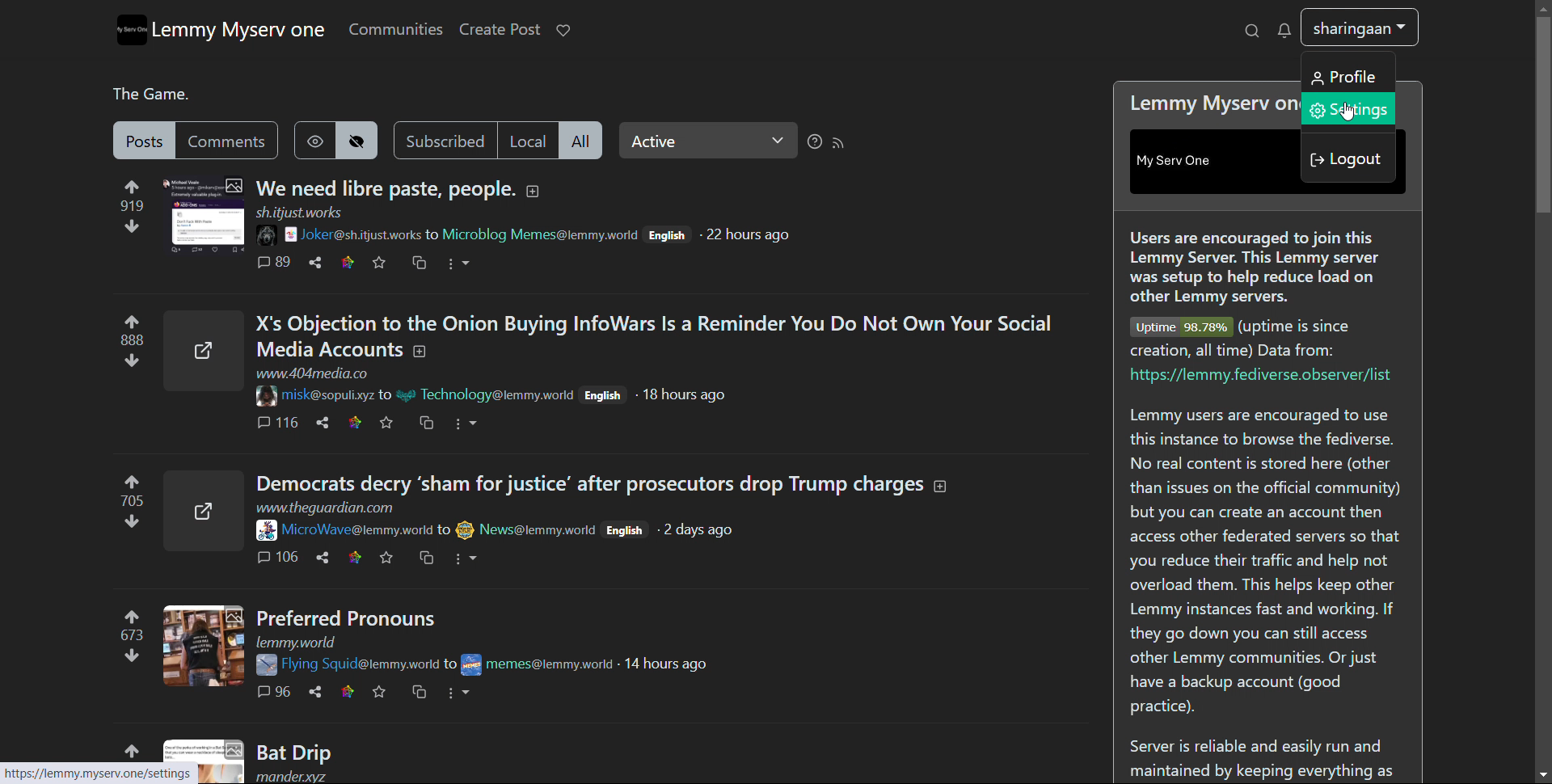 Image resolution: width=1552 pixels, height=784 pixels. I want to click on English, so click(626, 531).